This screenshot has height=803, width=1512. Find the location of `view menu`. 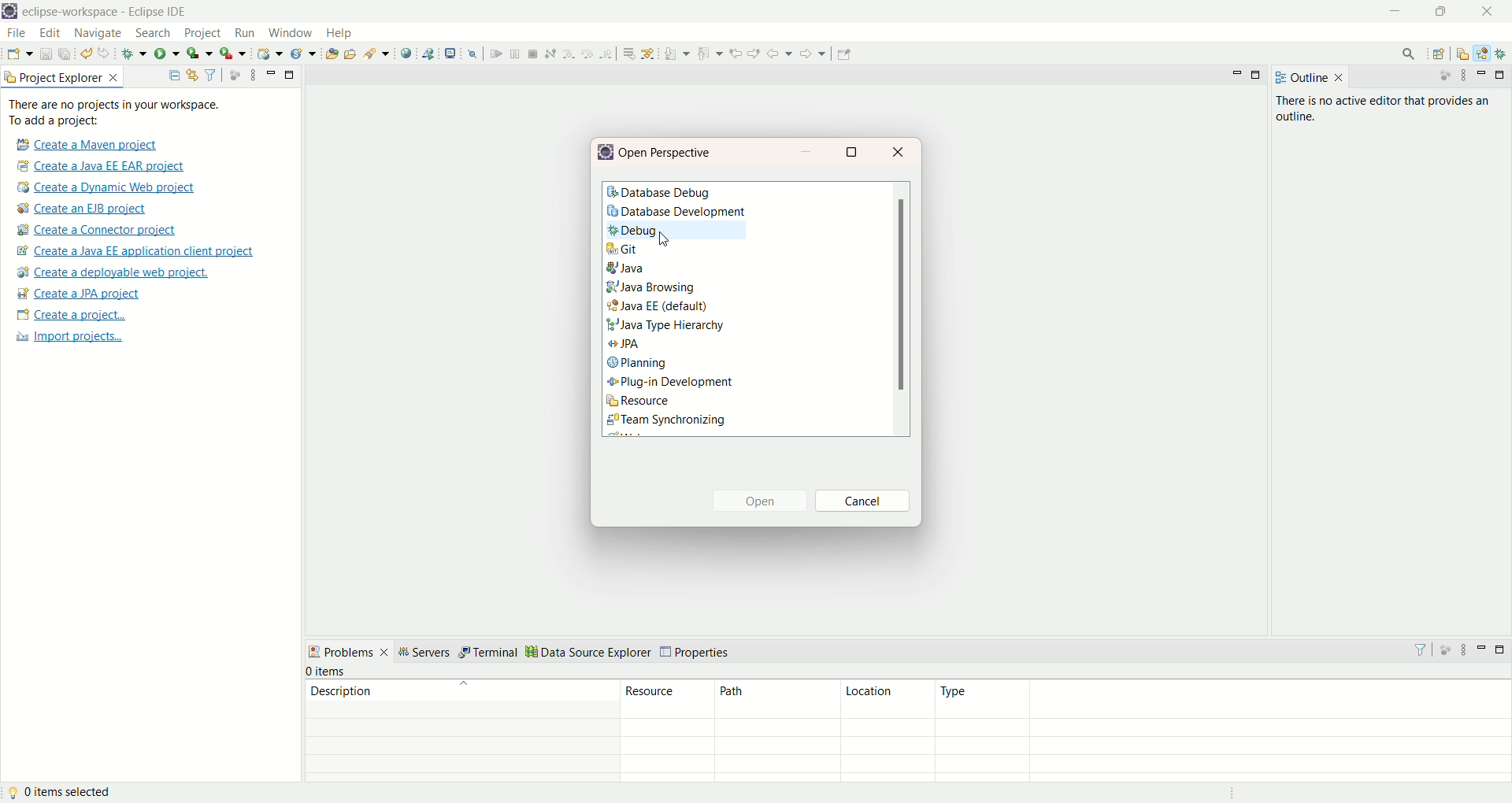

view menu is located at coordinates (1463, 649).